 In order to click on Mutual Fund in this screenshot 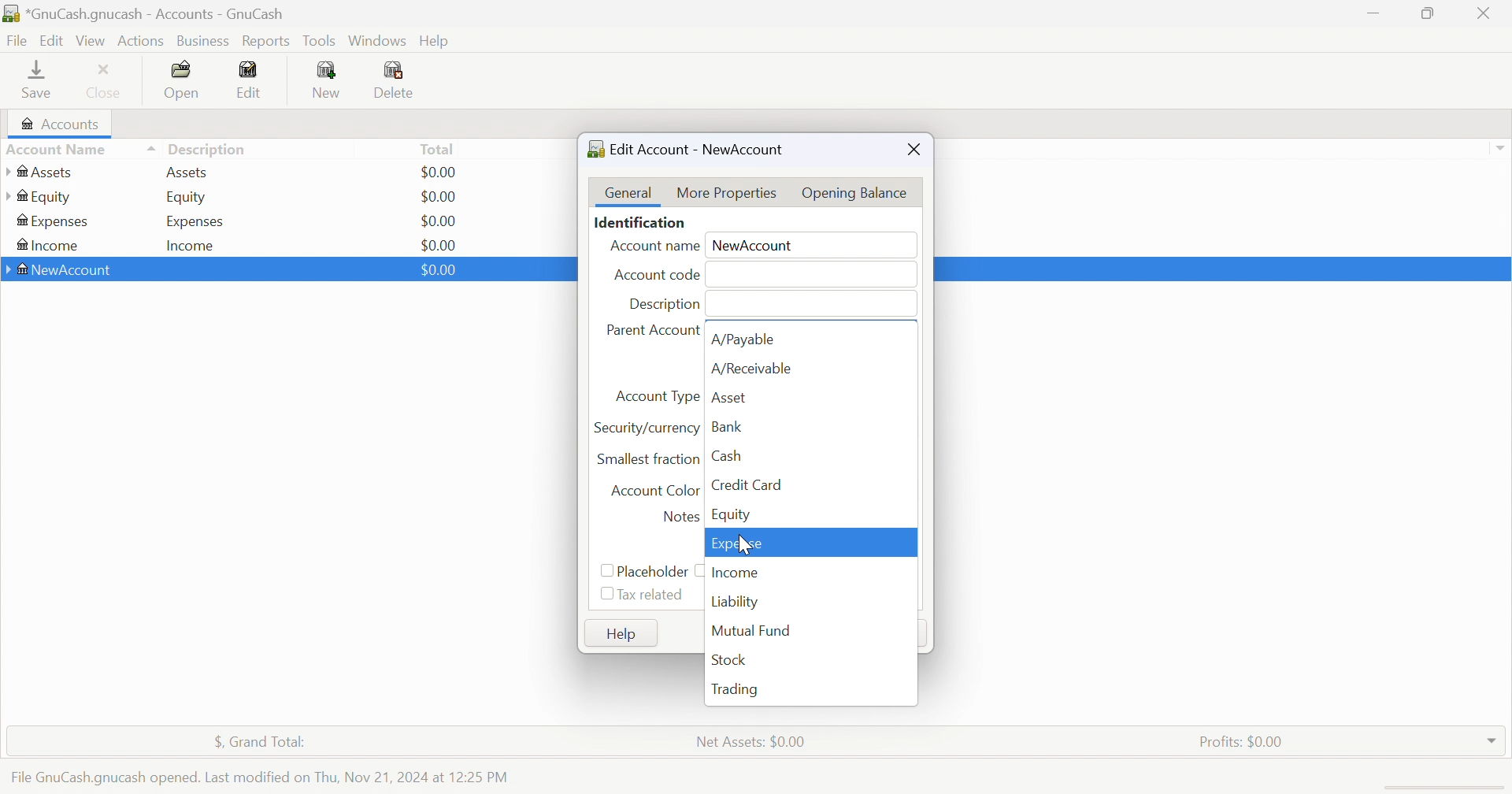, I will do `click(753, 631)`.